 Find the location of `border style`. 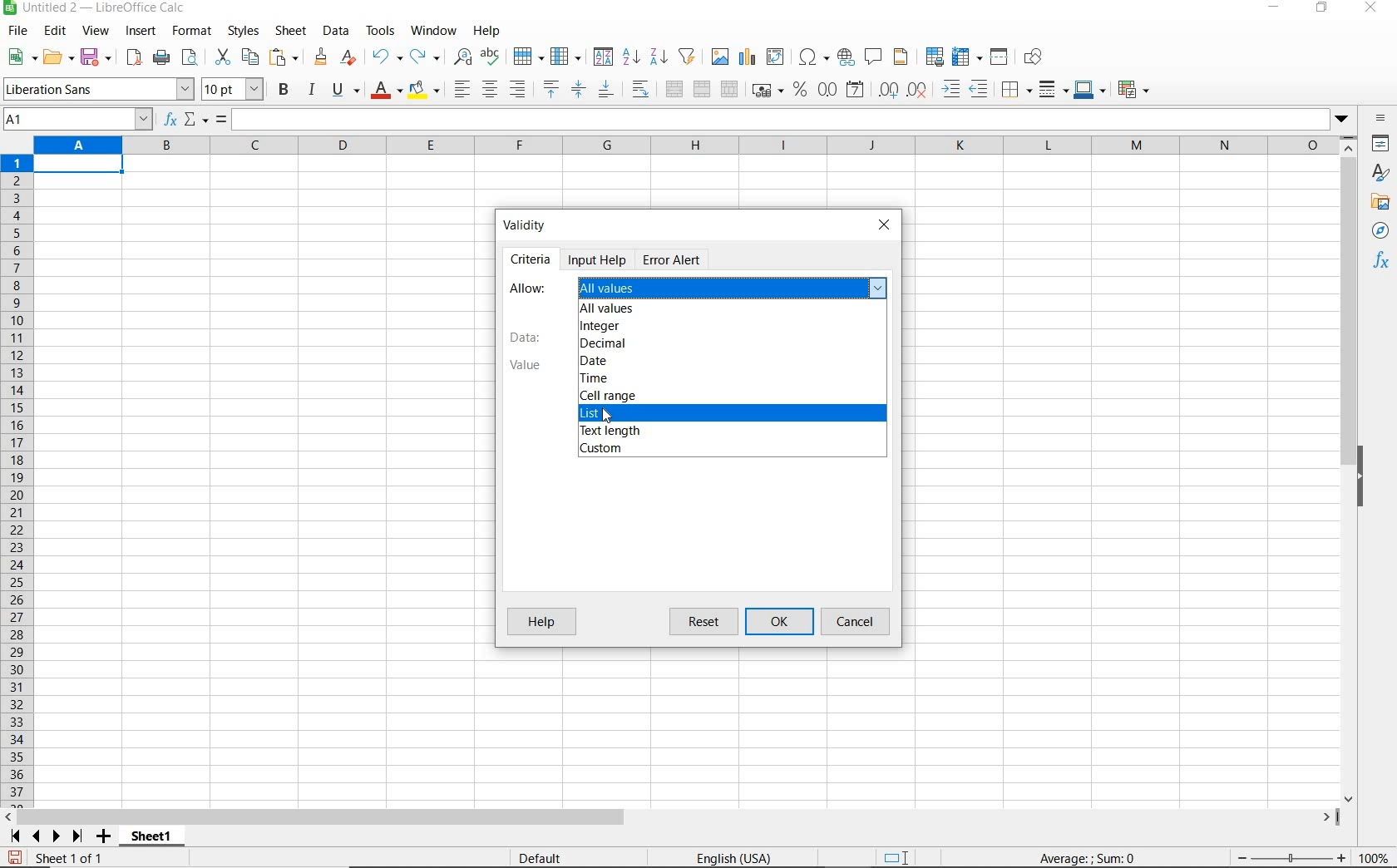

border style is located at coordinates (1054, 89).